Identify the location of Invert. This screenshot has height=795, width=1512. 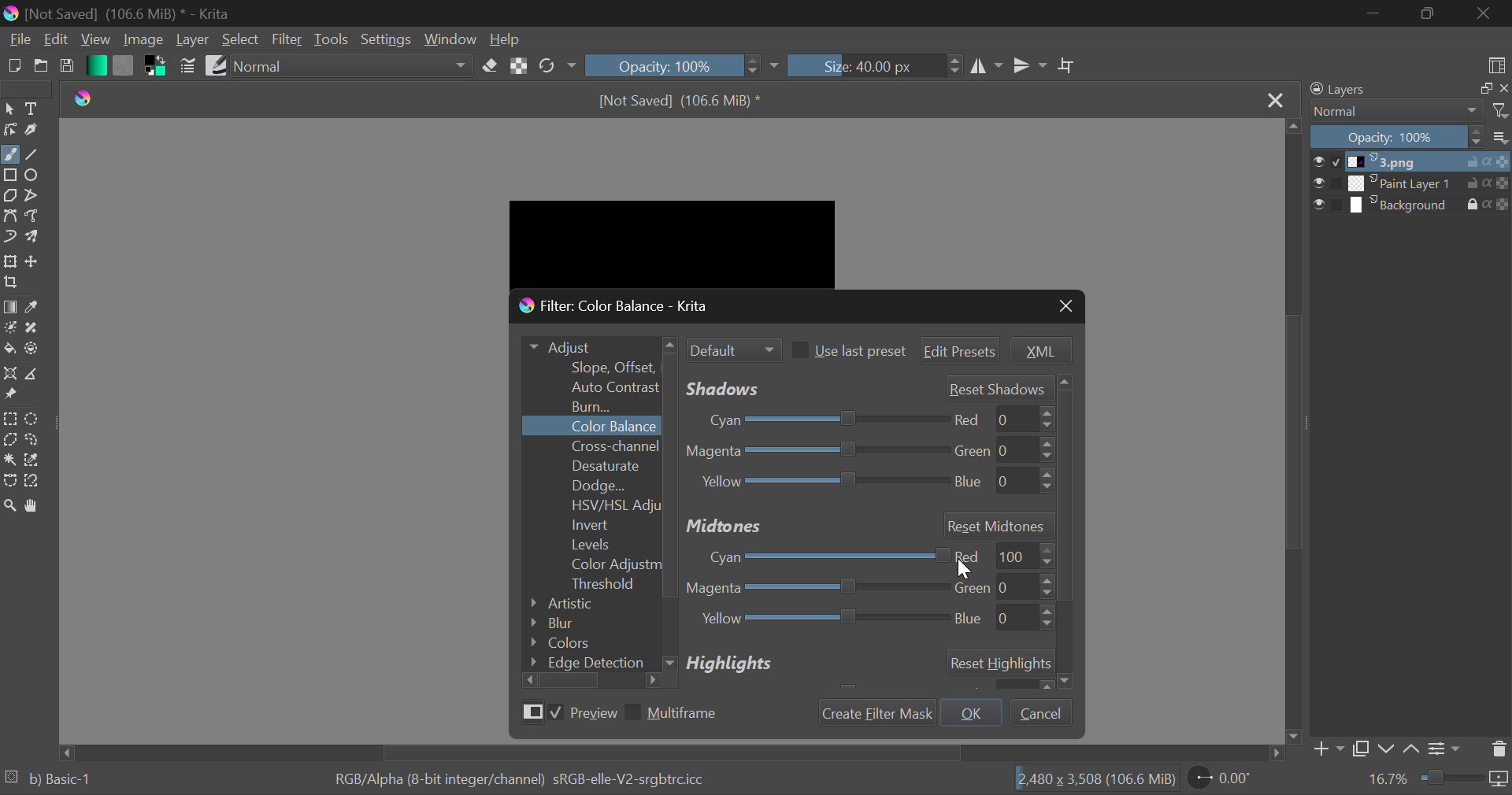
(593, 525).